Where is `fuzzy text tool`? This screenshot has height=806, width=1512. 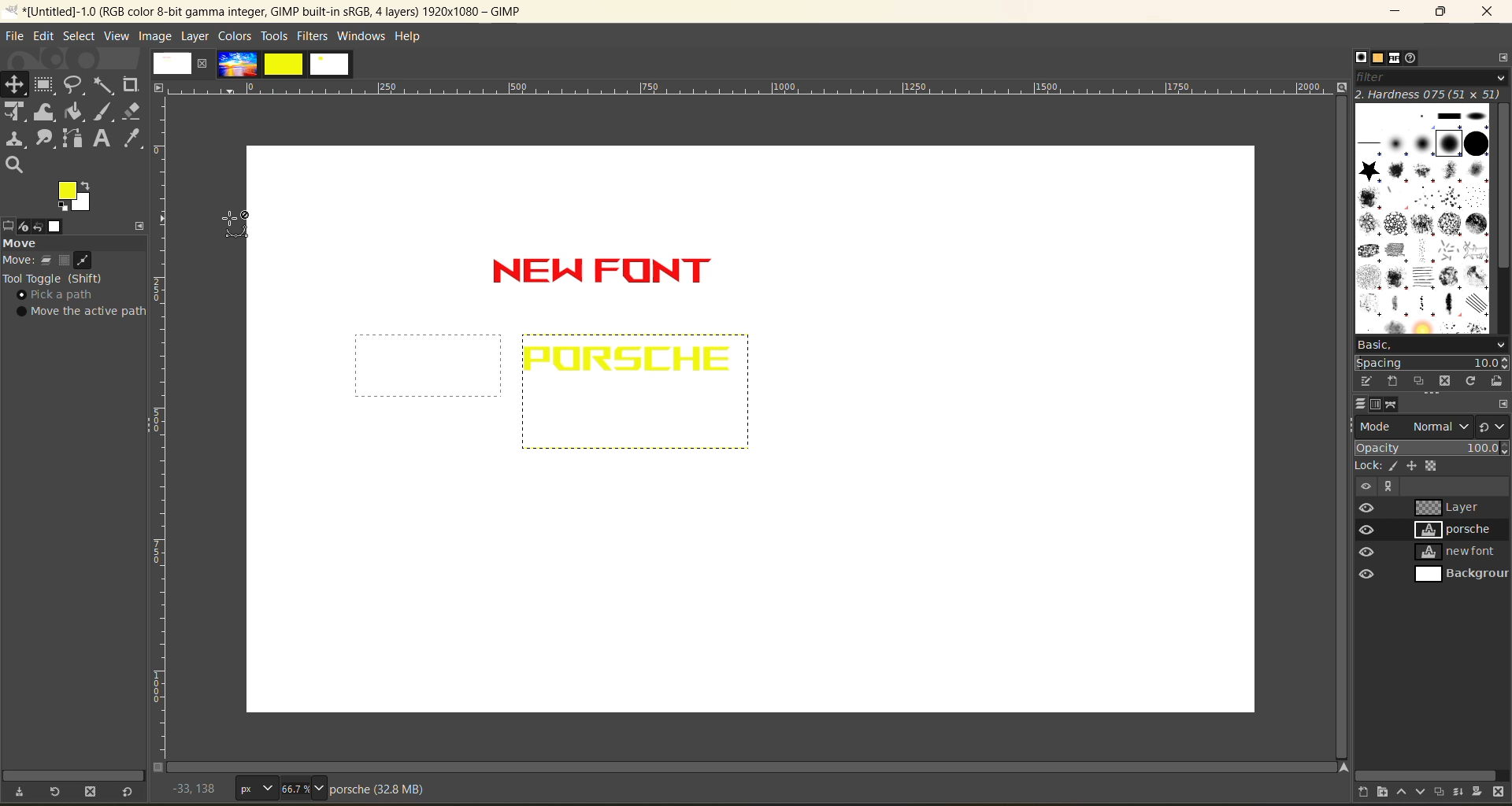 fuzzy text tool is located at coordinates (104, 85).